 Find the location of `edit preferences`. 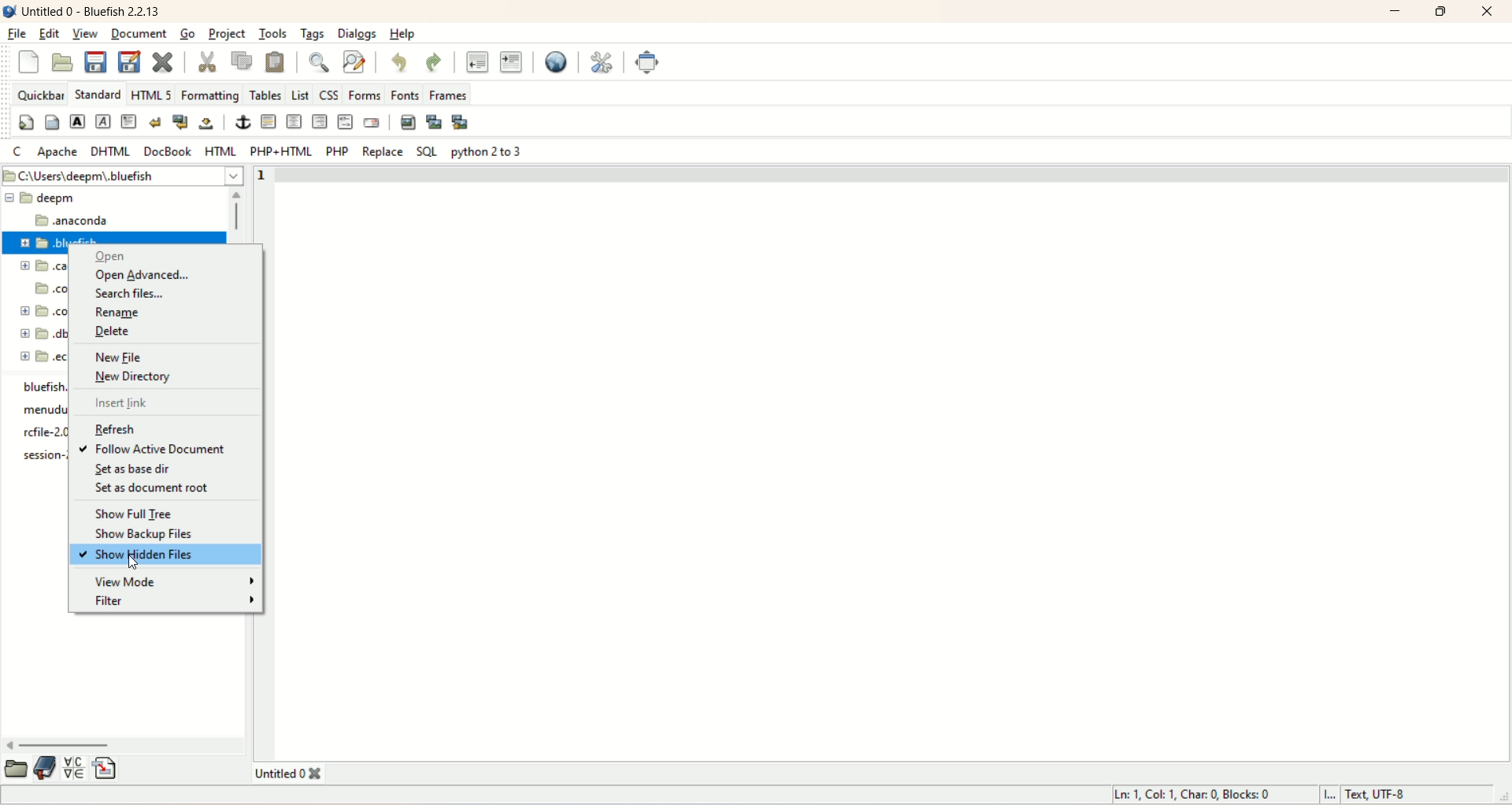

edit preferences is located at coordinates (606, 63).